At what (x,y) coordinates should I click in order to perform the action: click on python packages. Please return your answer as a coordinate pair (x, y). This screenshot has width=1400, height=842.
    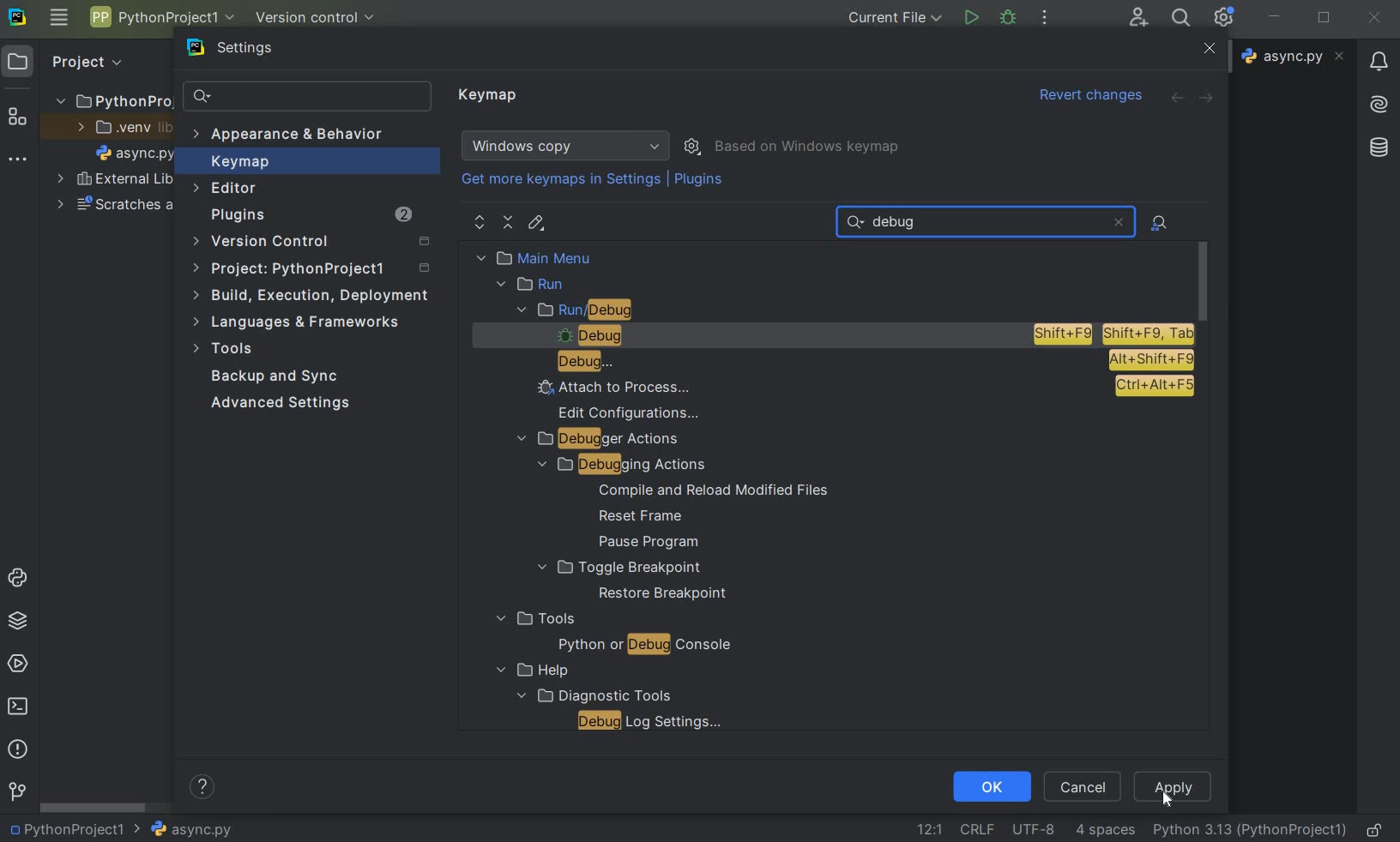
    Looking at the image, I should click on (21, 621).